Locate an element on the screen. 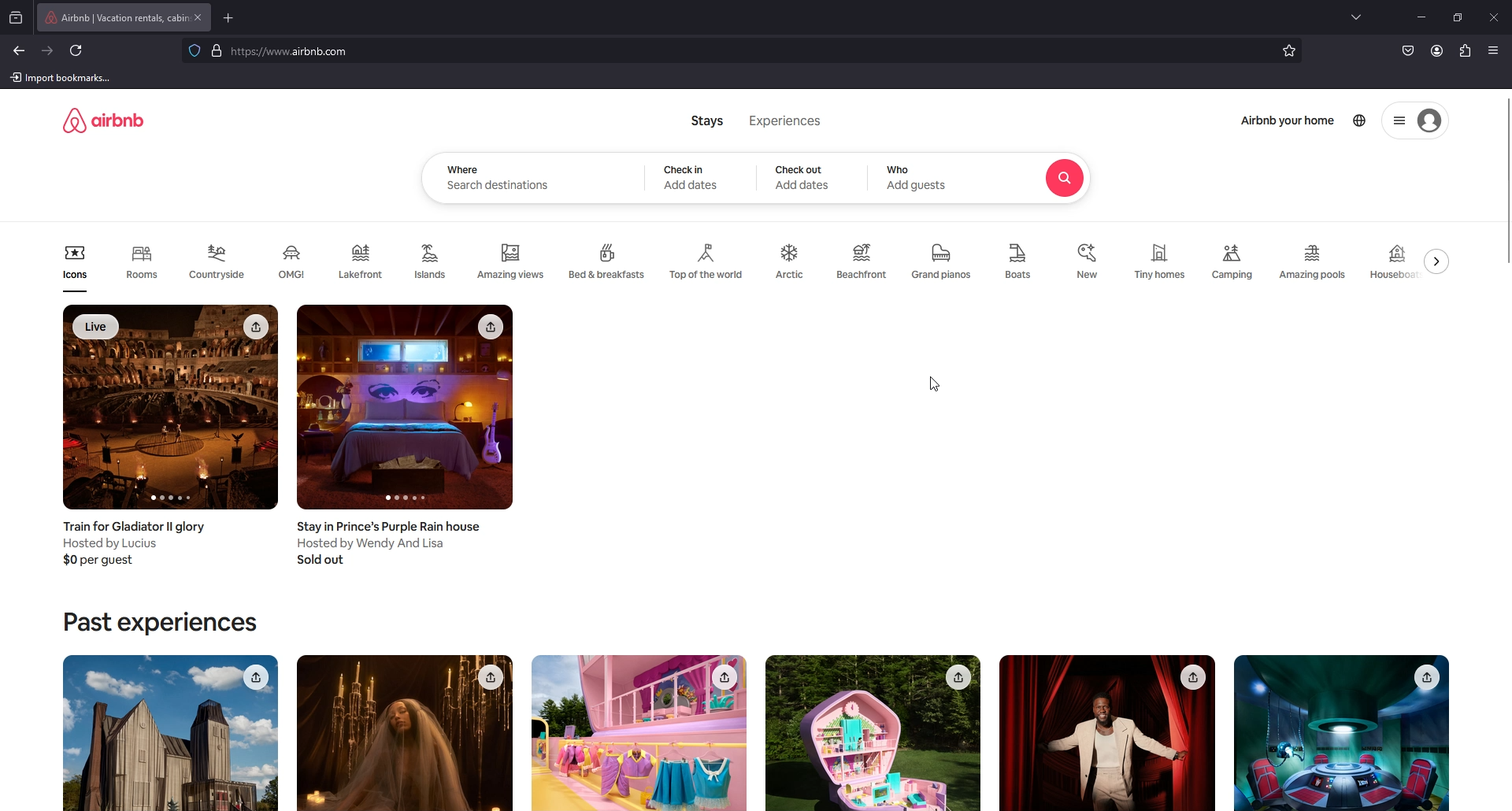 The image size is (1512, 811). Airbnb your home is located at coordinates (1288, 122).